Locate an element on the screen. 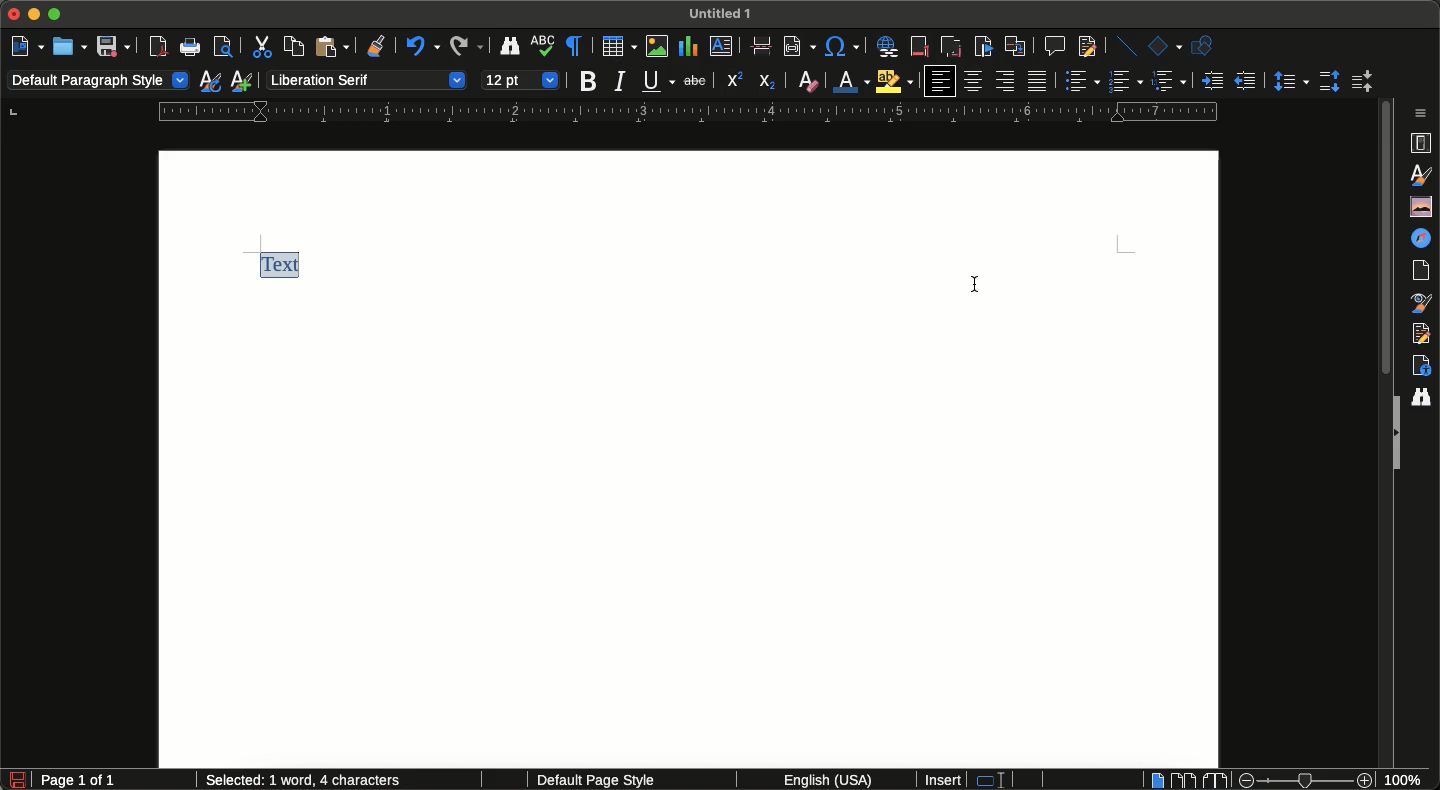 This screenshot has width=1440, height=790. Paste is located at coordinates (762, 47).